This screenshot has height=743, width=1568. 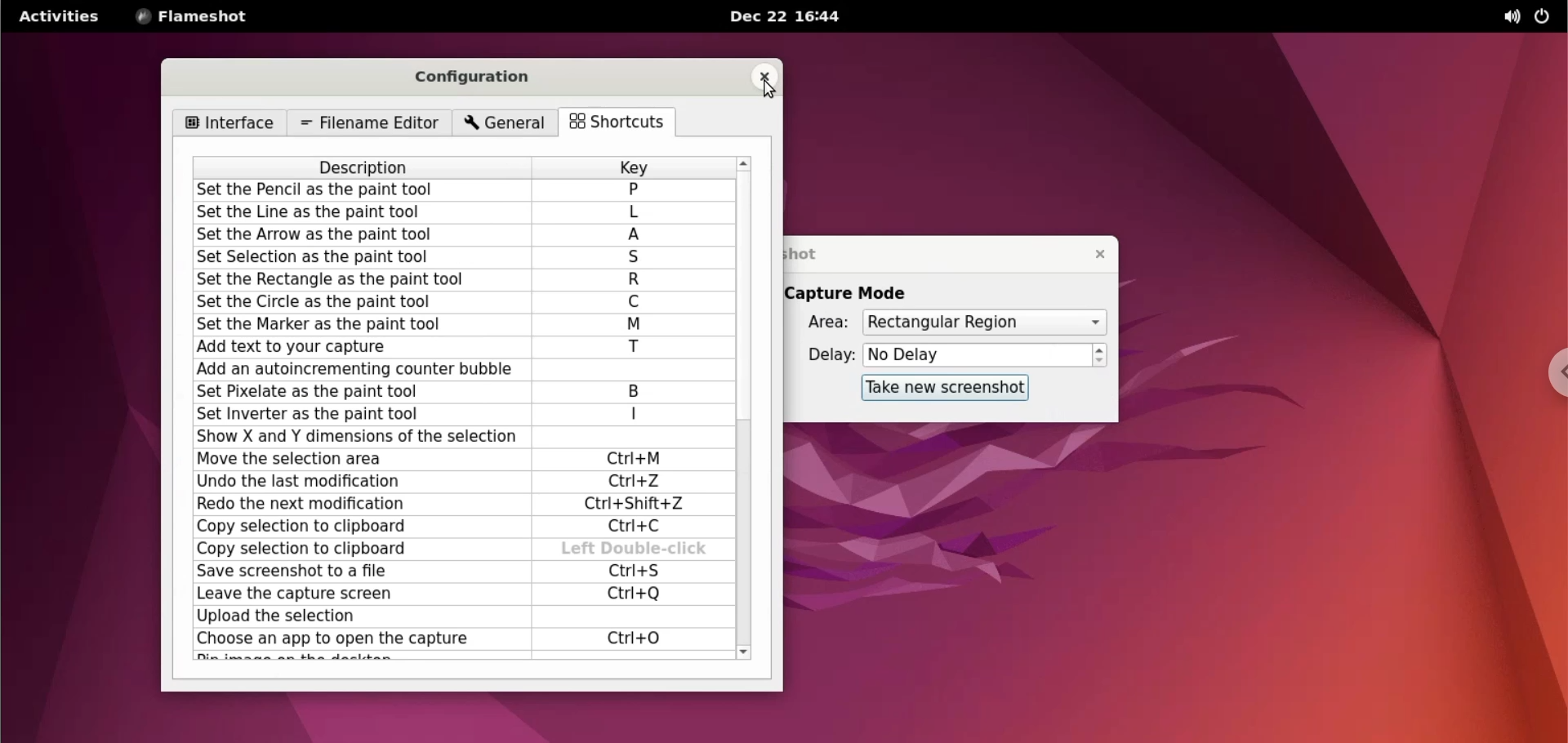 What do you see at coordinates (636, 259) in the screenshot?
I see `S ` at bounding box center [636, 259].